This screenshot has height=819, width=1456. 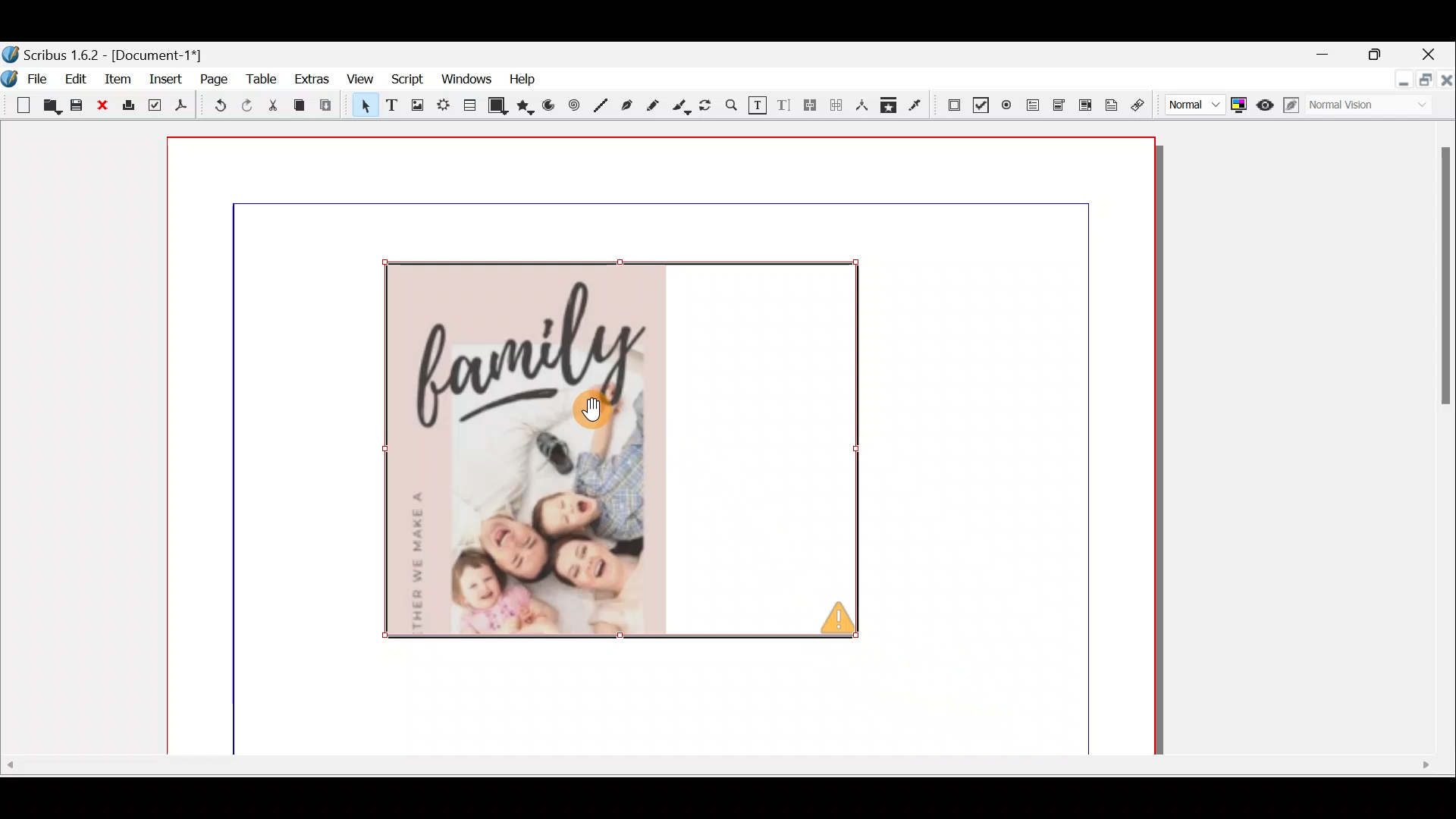 What do you see at coordinates (1423, 83) in the screenshot?
I see `maximise` at bounding box center [1423, 83].